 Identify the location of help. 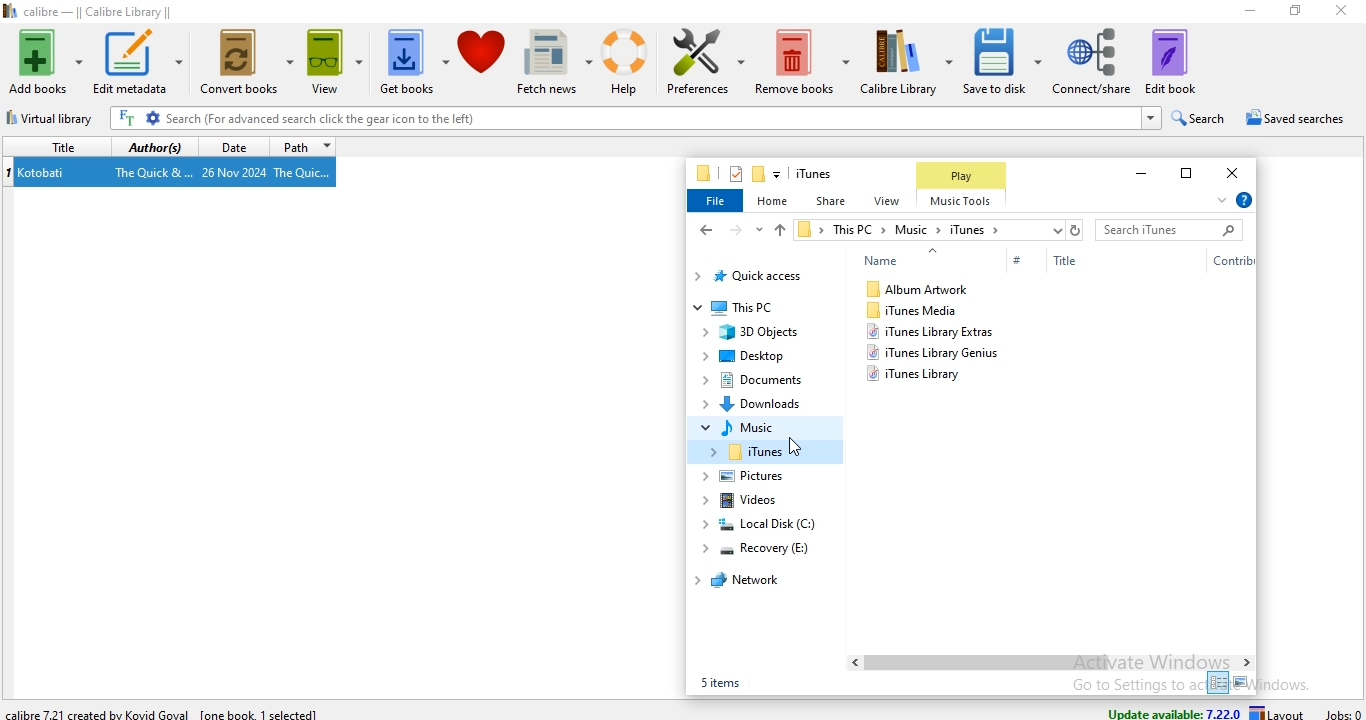
(1243, 200).